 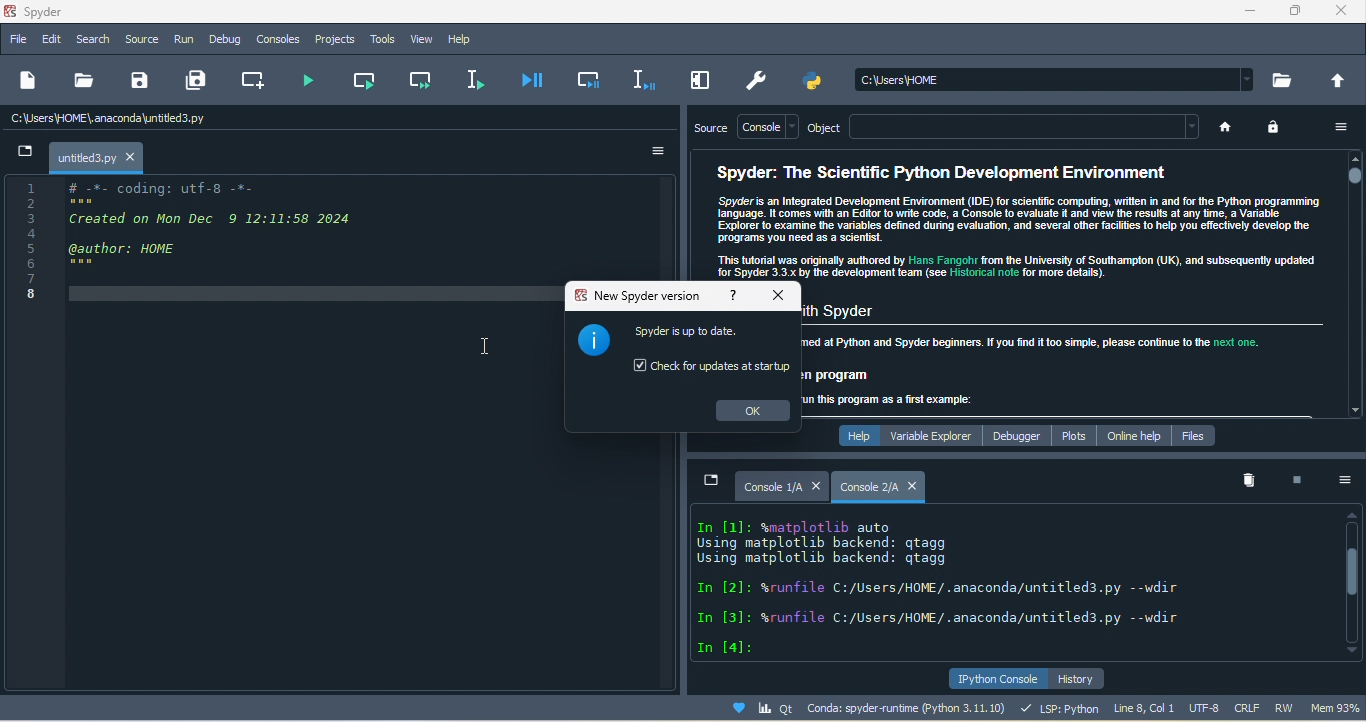 What do you see at coordinates (759, 80) in the screenshot?
I see `preference` at bounding box center [759, 80].